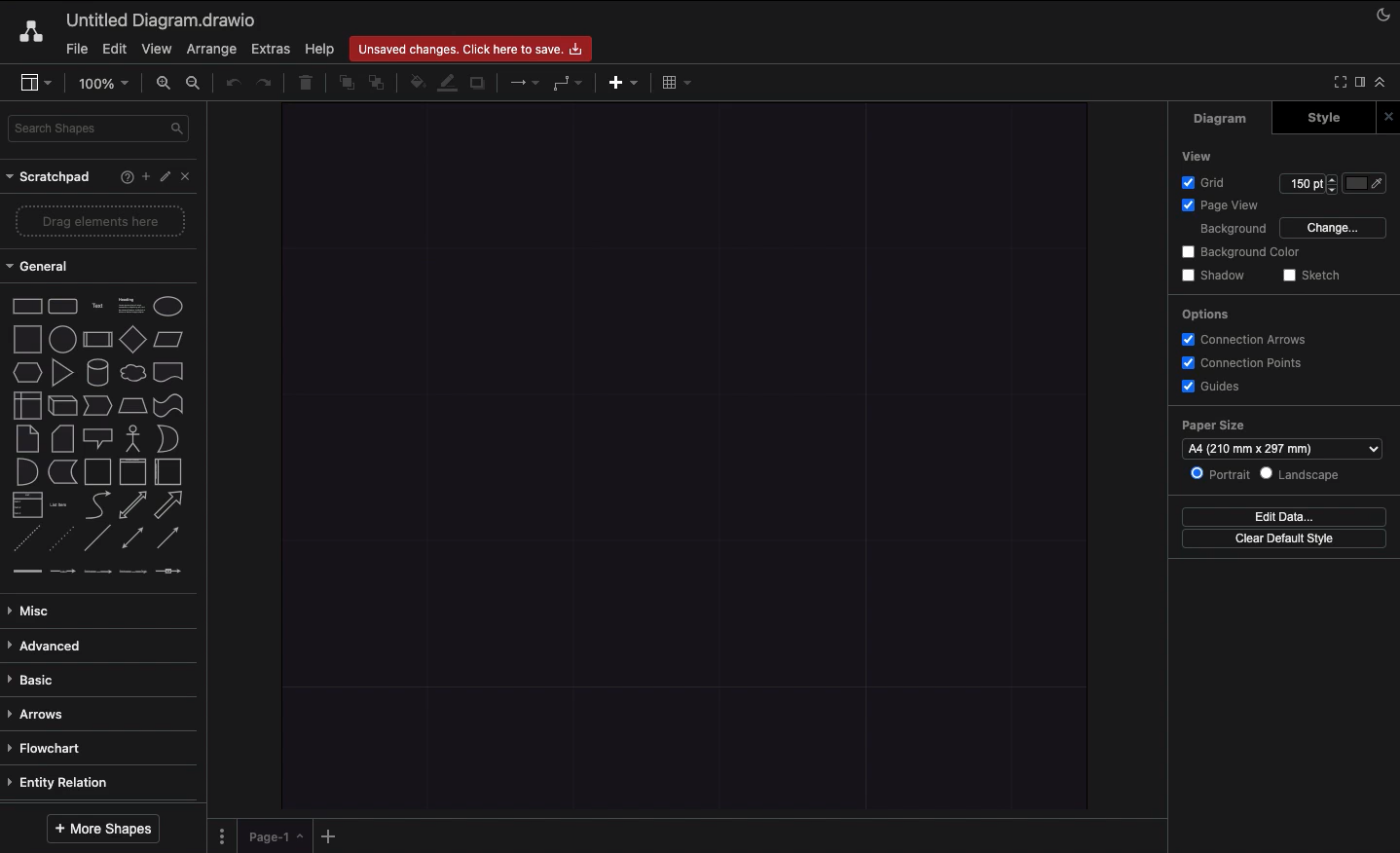 The width and height of the screenshot is (1400, 853). Describe the element at coordinates (343, 86) in the screenshot. I see `Move to front` at that location.